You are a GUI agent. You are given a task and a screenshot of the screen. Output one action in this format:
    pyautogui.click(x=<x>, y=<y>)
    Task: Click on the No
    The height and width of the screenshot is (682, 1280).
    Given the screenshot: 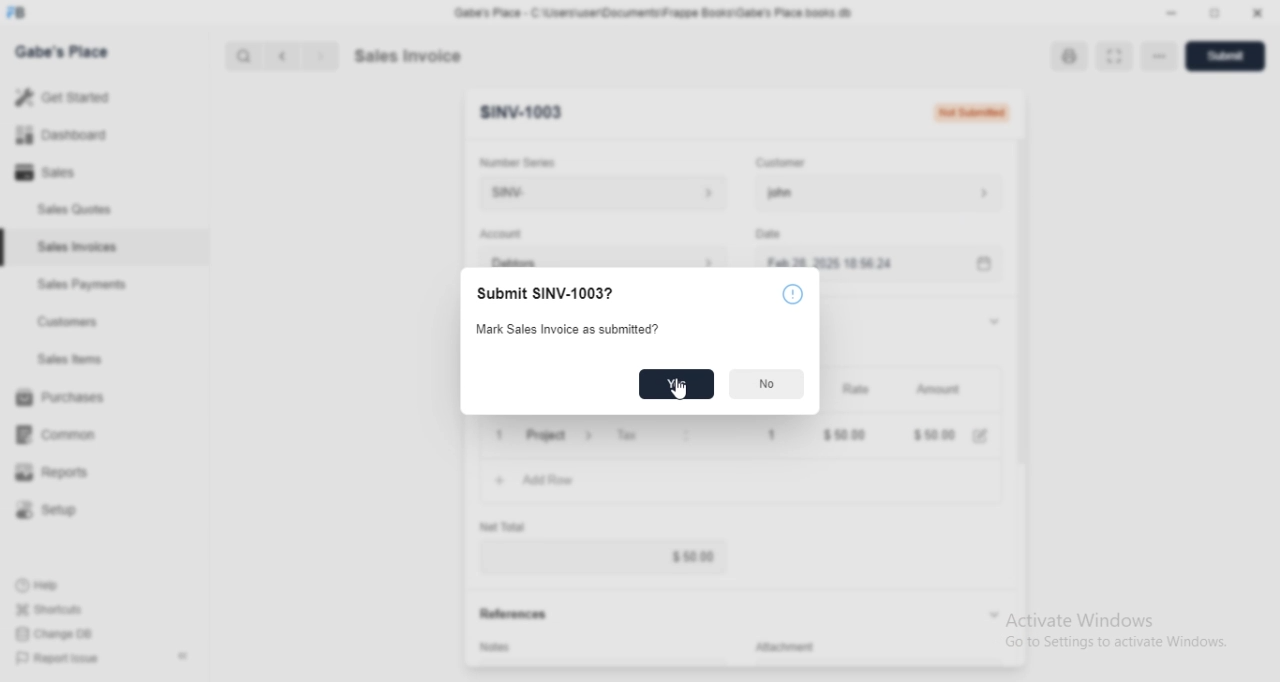 What is the action you would take?
    pyautogui.click(x=768, y=384)
    